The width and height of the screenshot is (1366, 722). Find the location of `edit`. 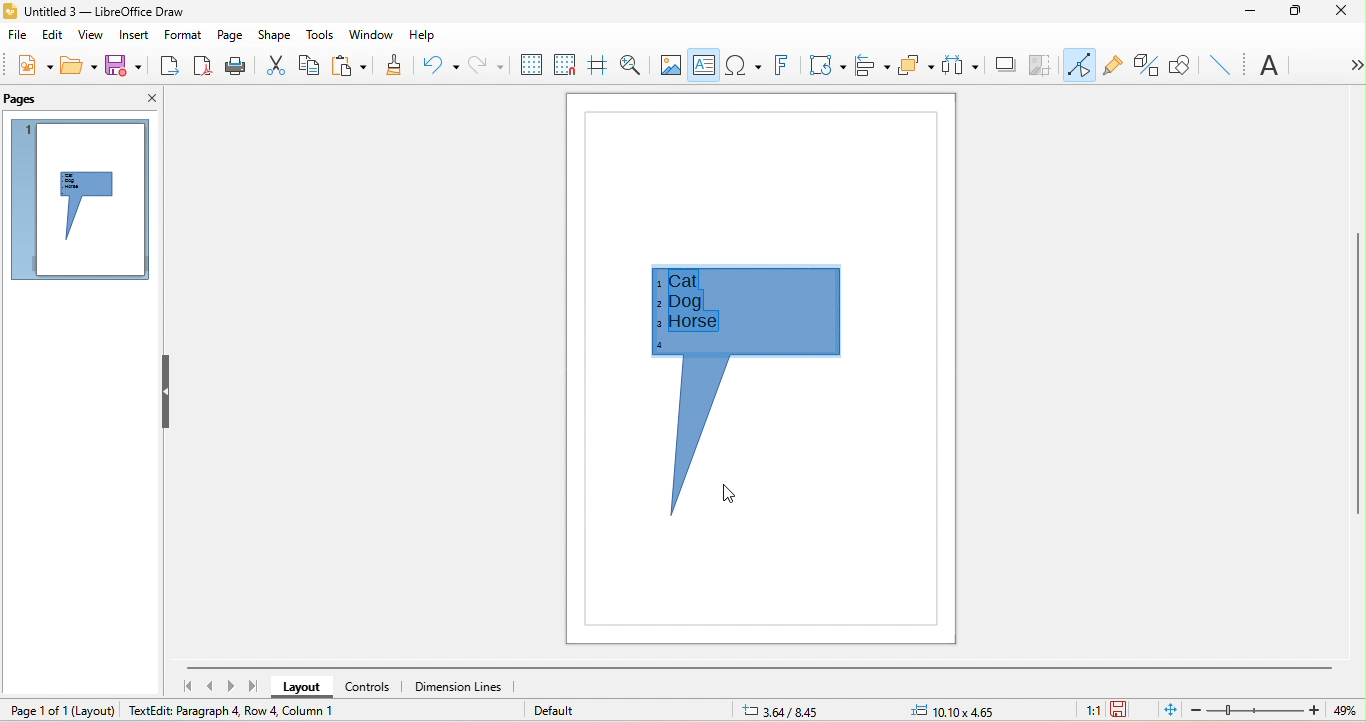

edit is located at coordinates (52, 34).